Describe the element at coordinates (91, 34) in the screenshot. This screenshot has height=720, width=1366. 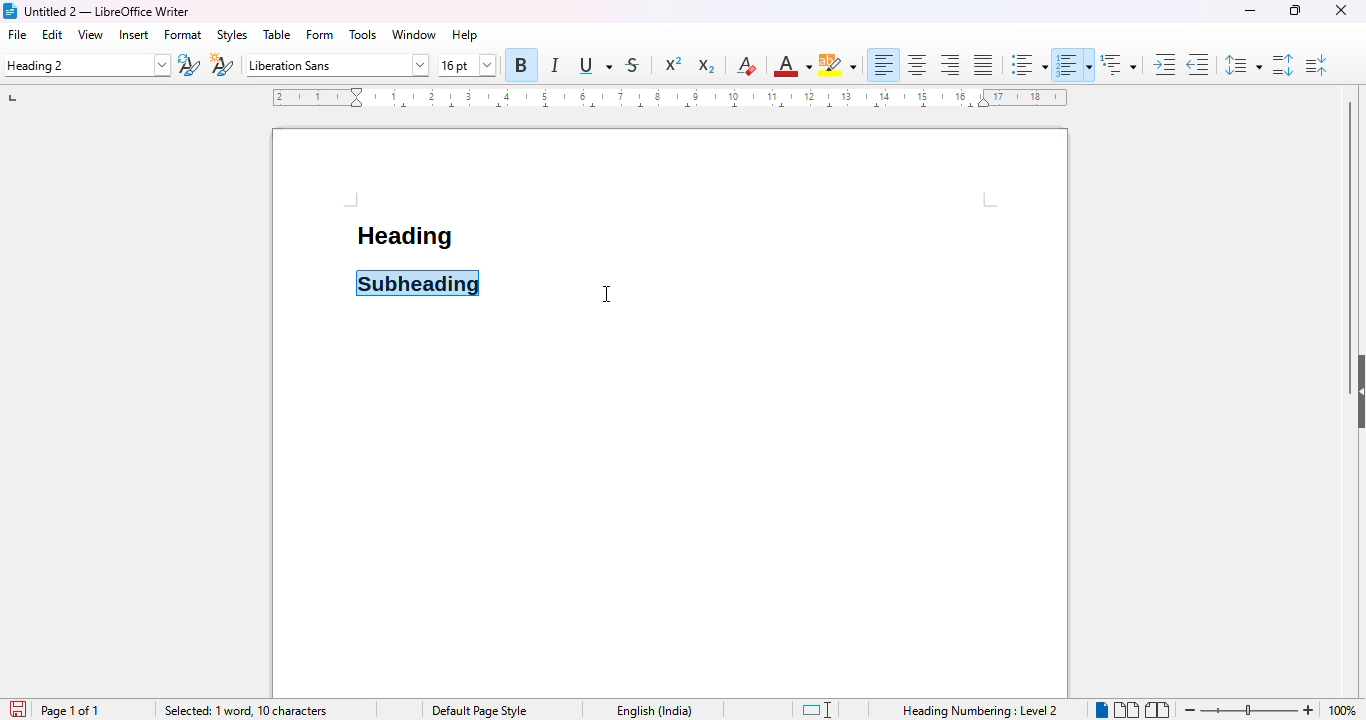
I see `view` at that location.